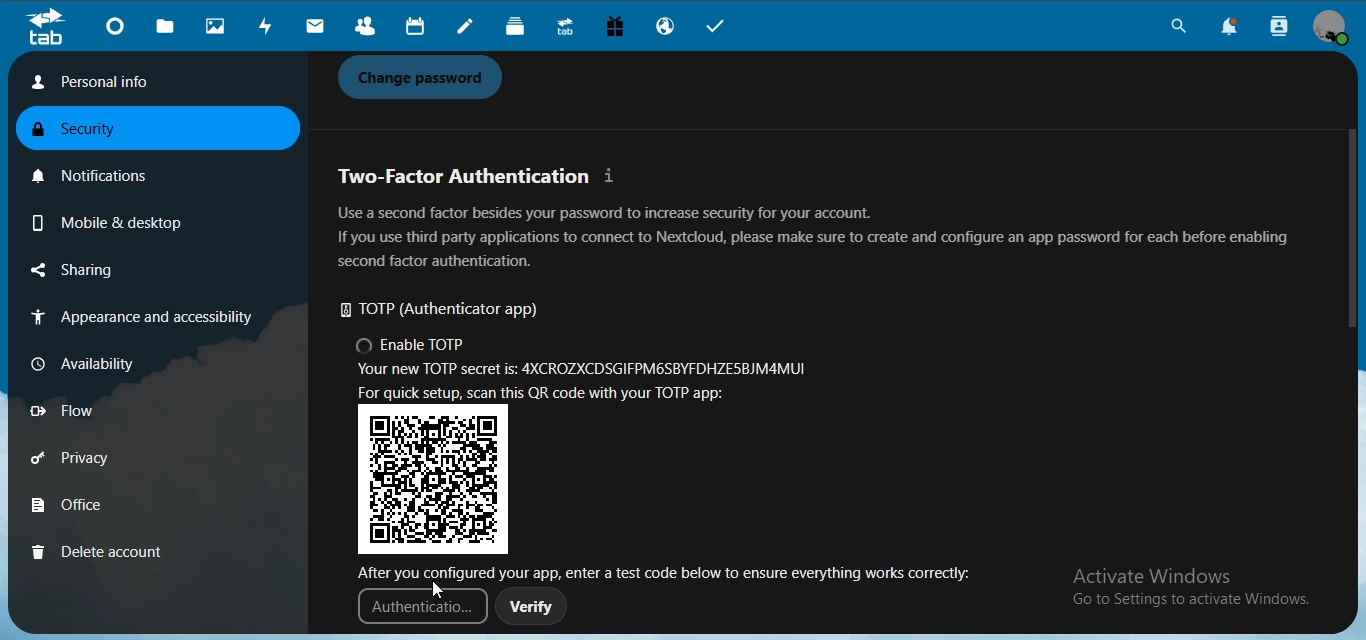 The width and height of the screenshot is (1366, 640). What do you see at coordinates (104, 219) in the screenshot?
I see `mobile & desktop` at bounding box center [104, 219].